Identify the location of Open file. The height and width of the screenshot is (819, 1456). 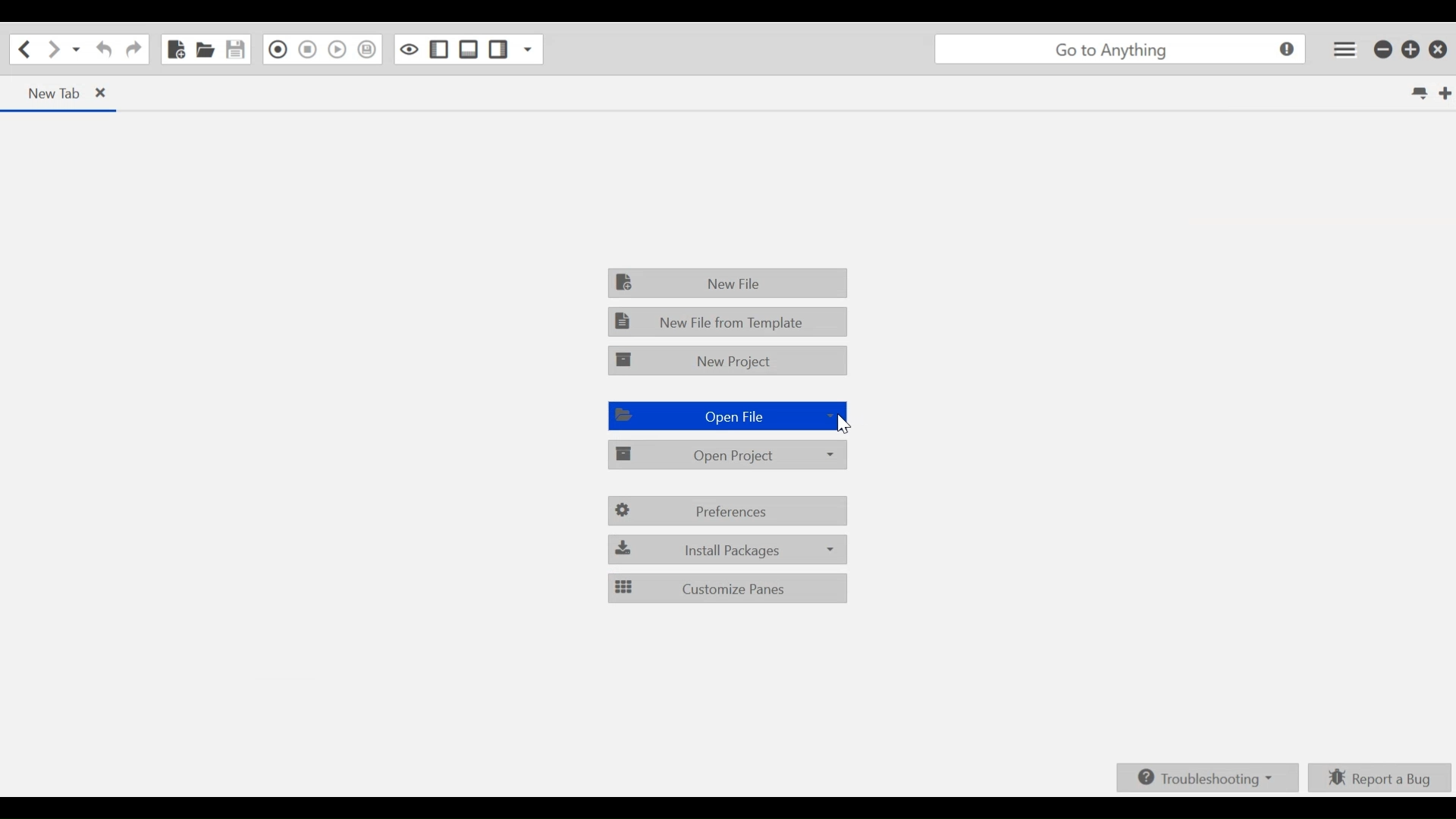
(206, 49).